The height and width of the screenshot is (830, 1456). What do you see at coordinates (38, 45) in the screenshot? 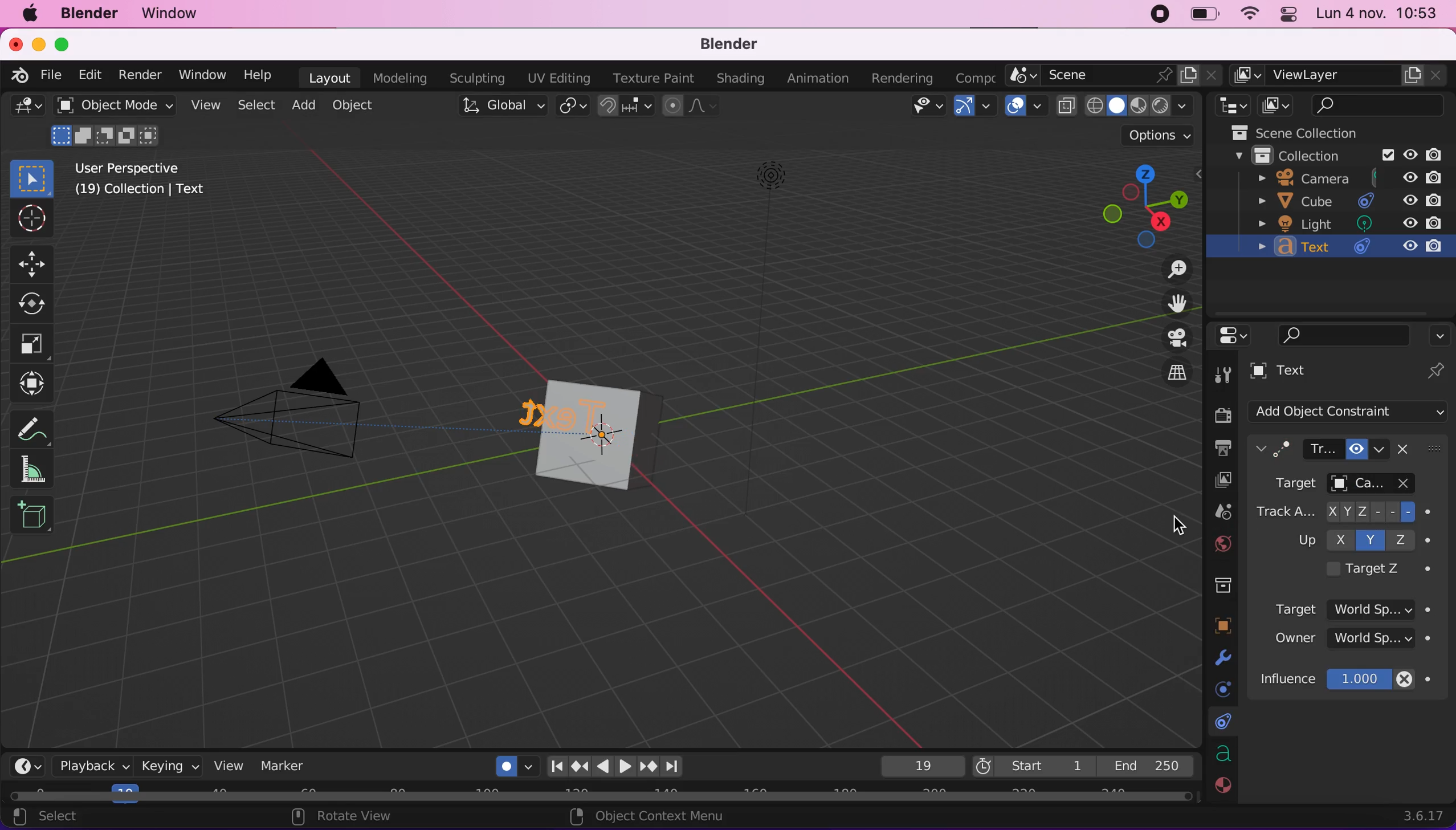
I see `minimize` at bounding box center [38, 45].